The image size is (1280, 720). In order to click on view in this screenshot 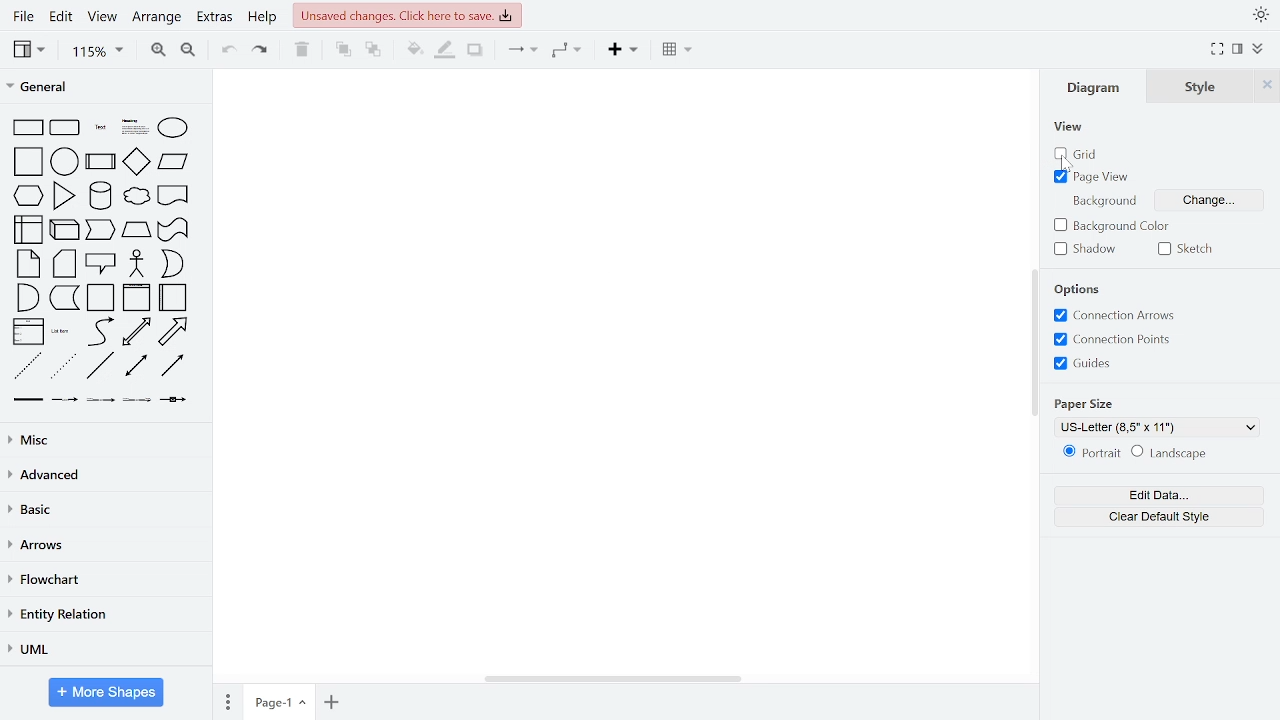, I will do `click(1072, 128)`.